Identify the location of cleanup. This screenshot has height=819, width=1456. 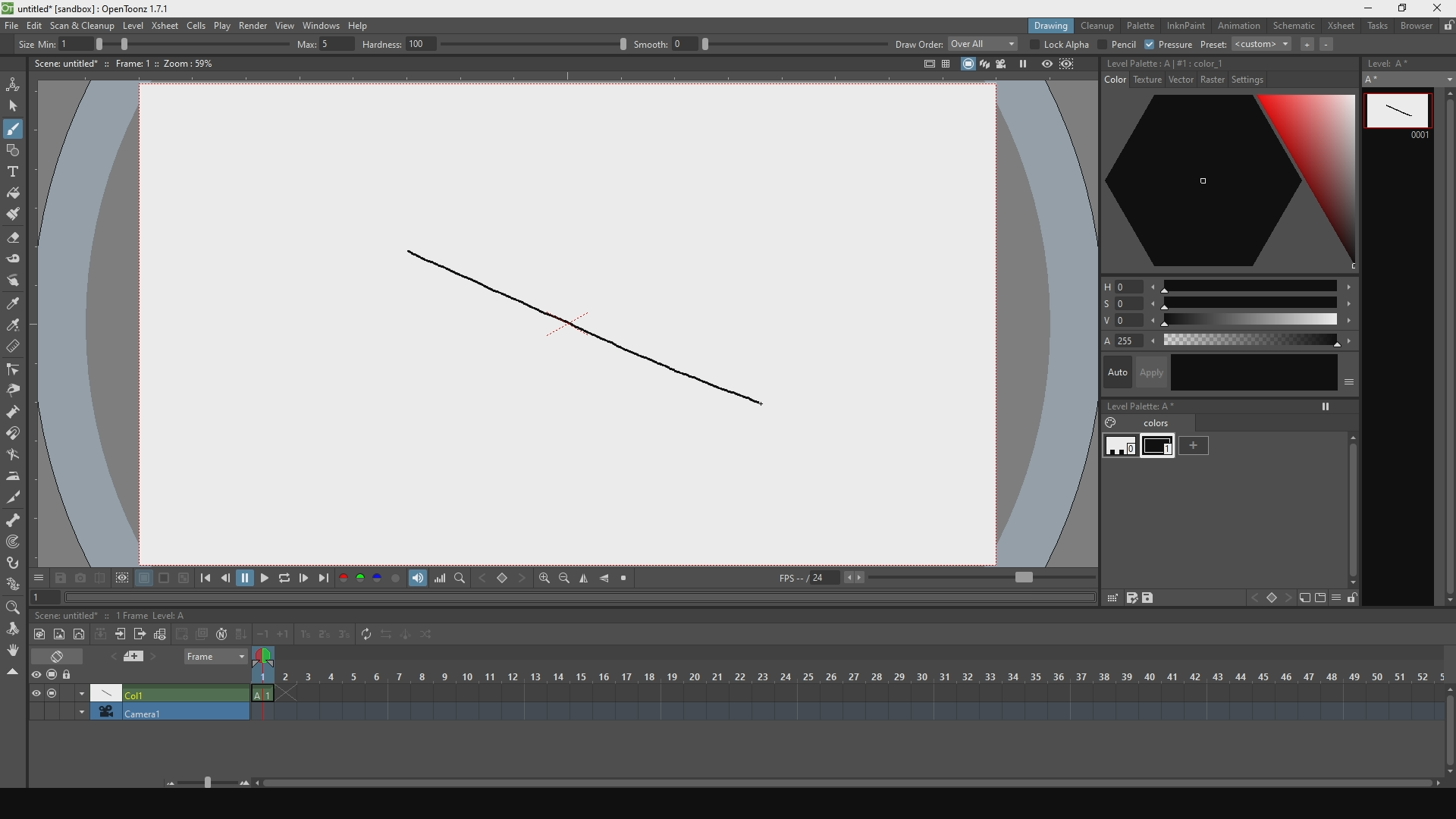
(1098, 27).